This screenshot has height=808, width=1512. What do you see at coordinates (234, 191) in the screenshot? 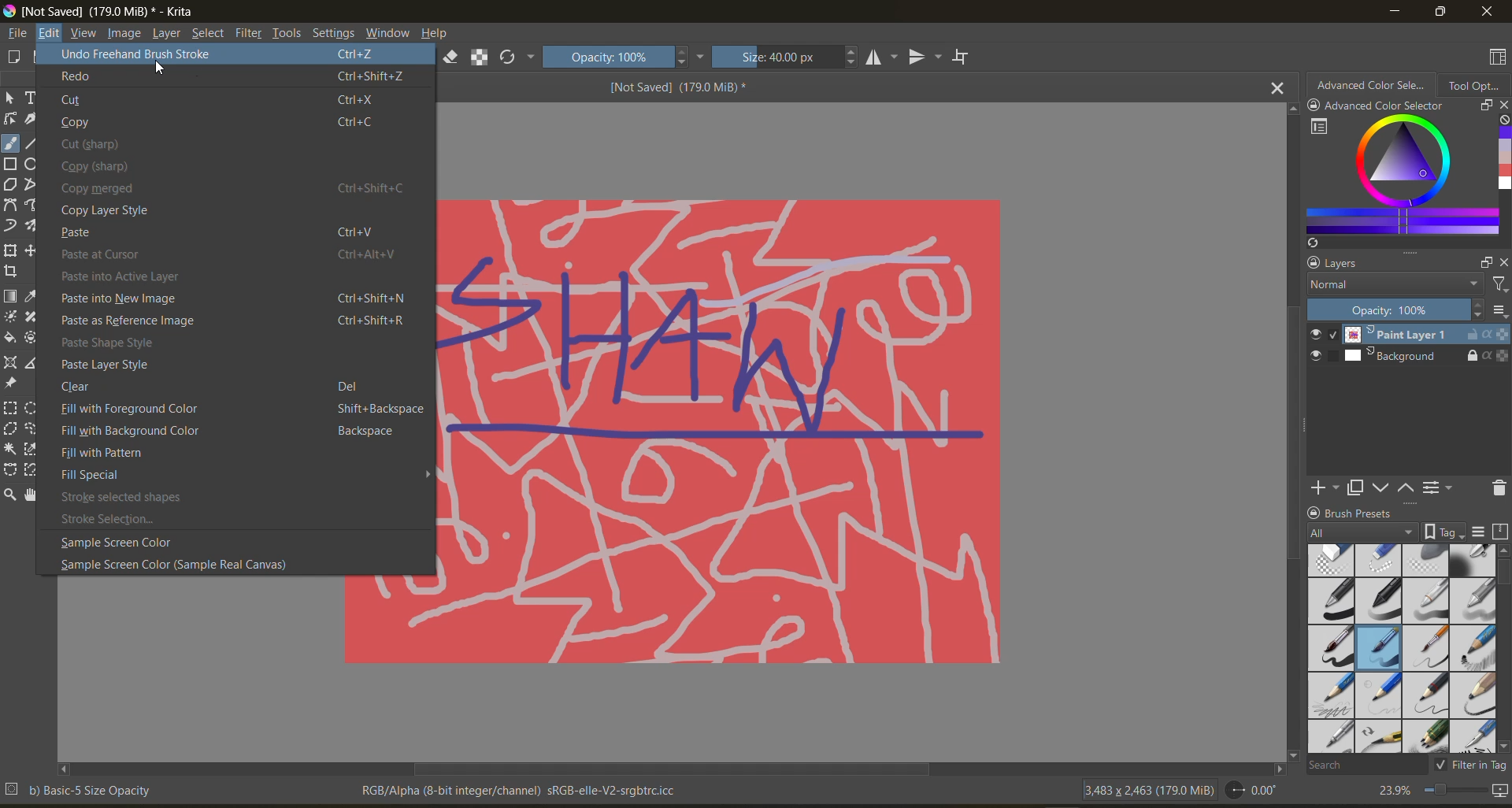
I see `copy merged   Ctrl+Shift+C` at bounding box center [234, 191].